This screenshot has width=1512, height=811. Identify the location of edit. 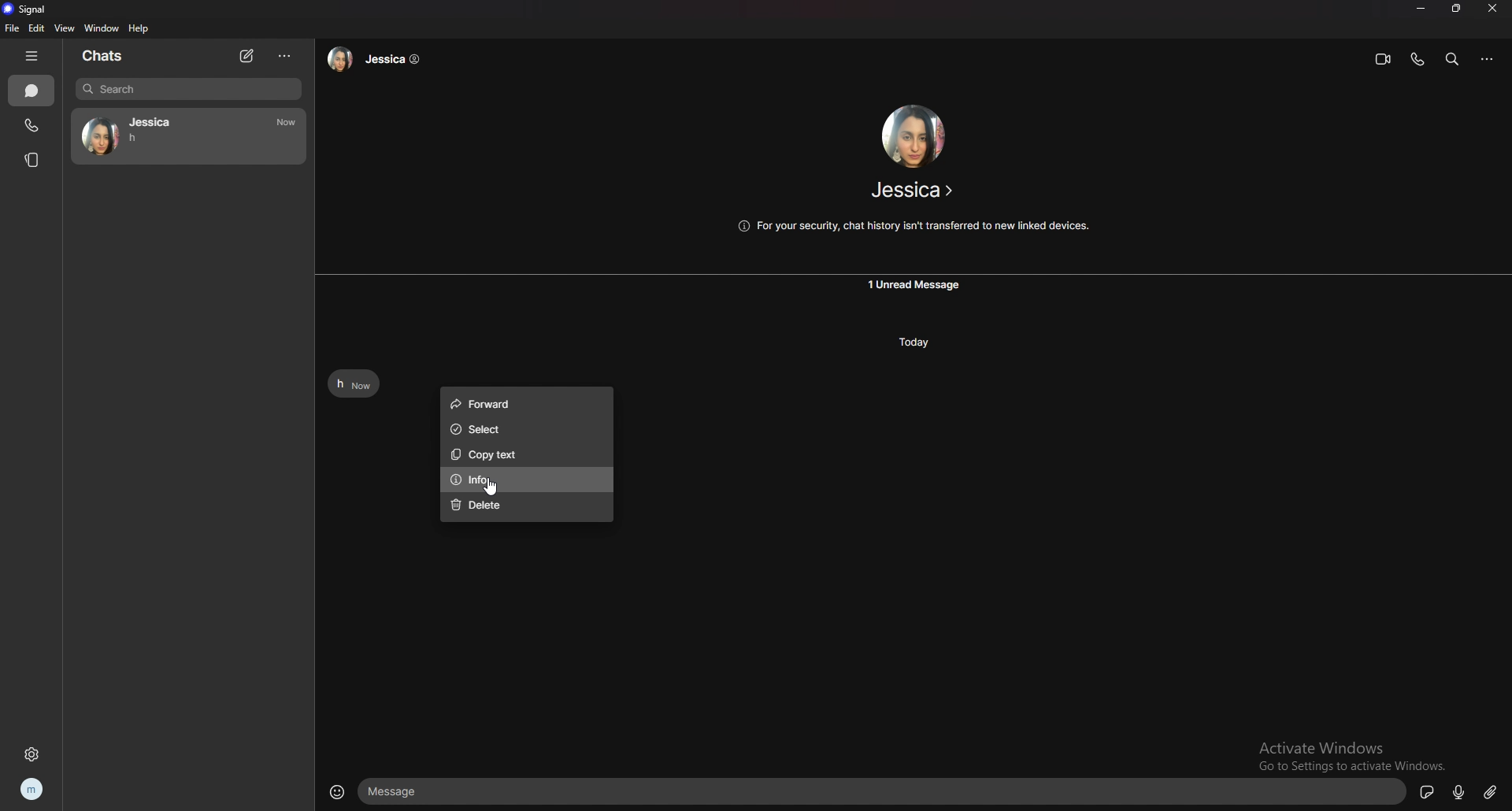
(37, 28).